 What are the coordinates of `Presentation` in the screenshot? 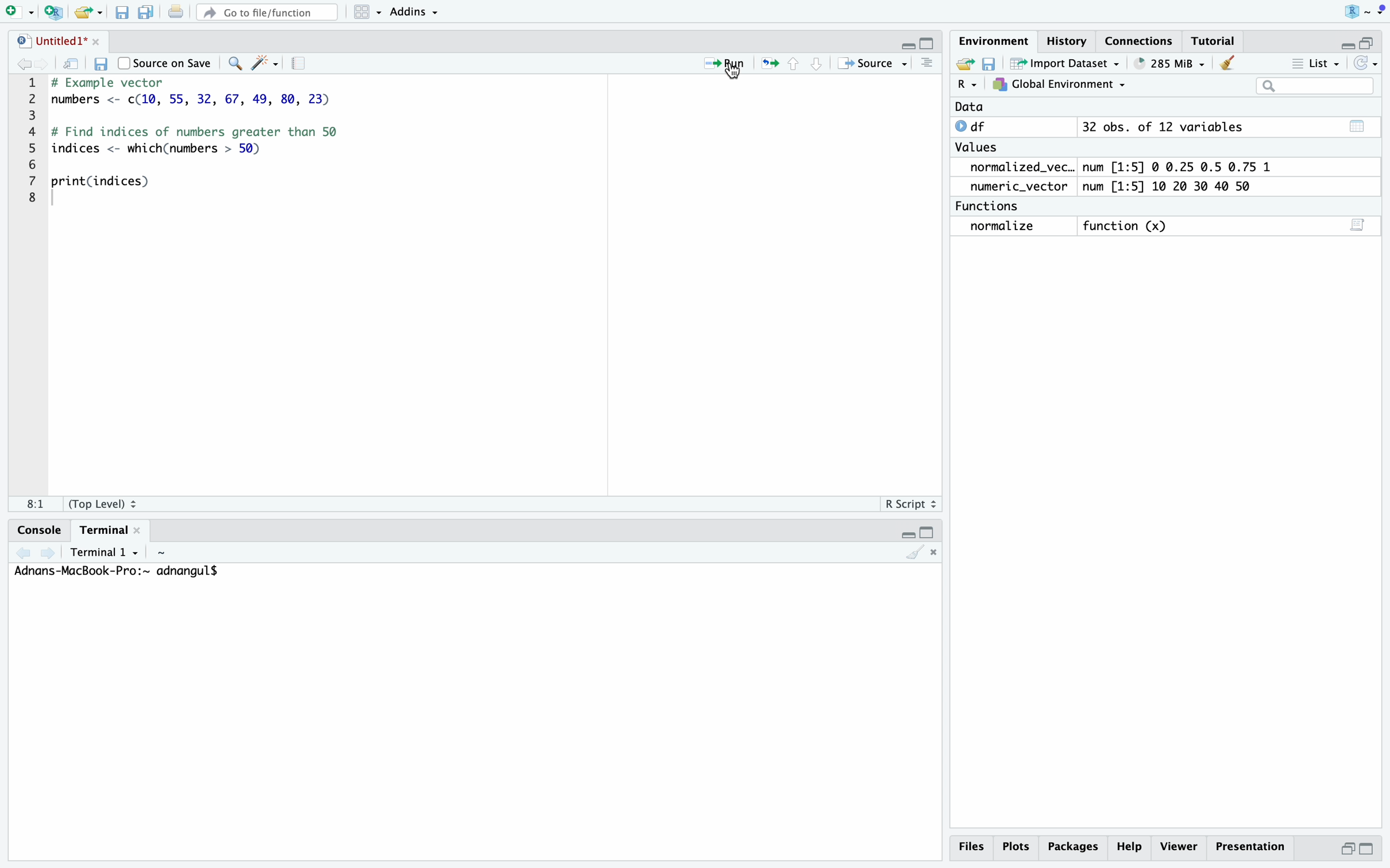 It's located at (1249, 843).